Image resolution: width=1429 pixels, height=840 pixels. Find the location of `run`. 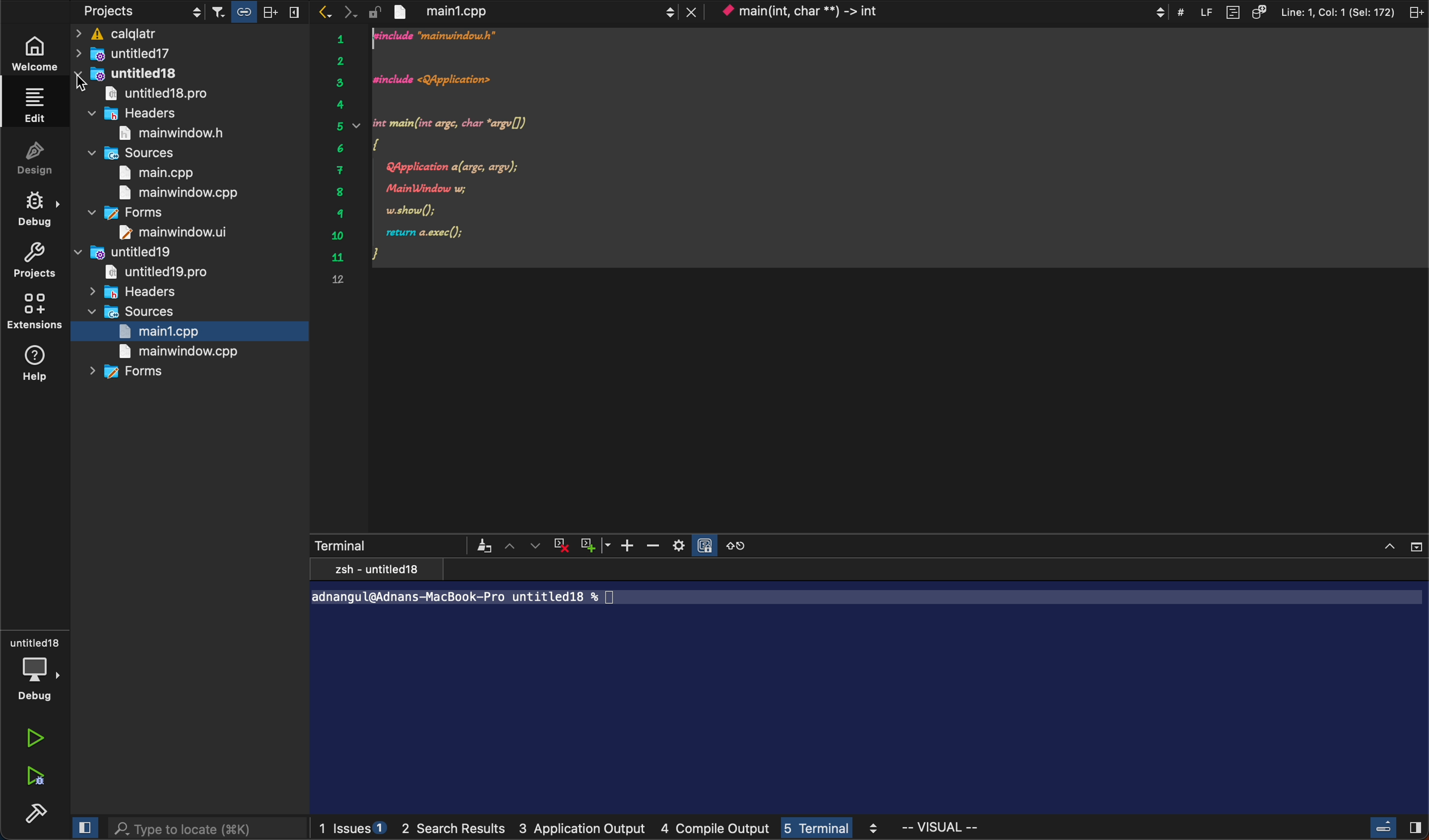

run is located at coordinates (35, 739).